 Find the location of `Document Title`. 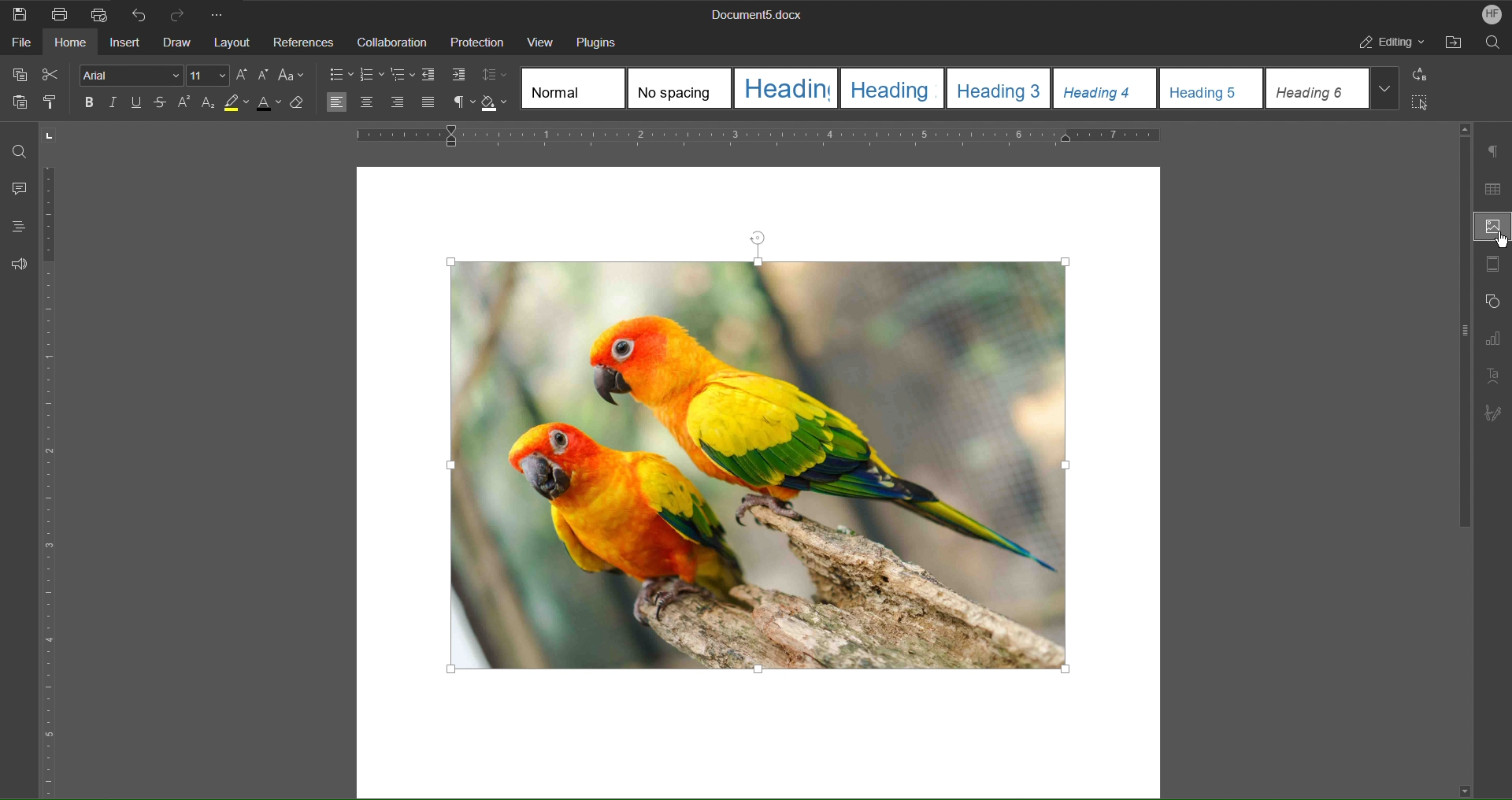

Document Title is located at coordinates (754, 16).